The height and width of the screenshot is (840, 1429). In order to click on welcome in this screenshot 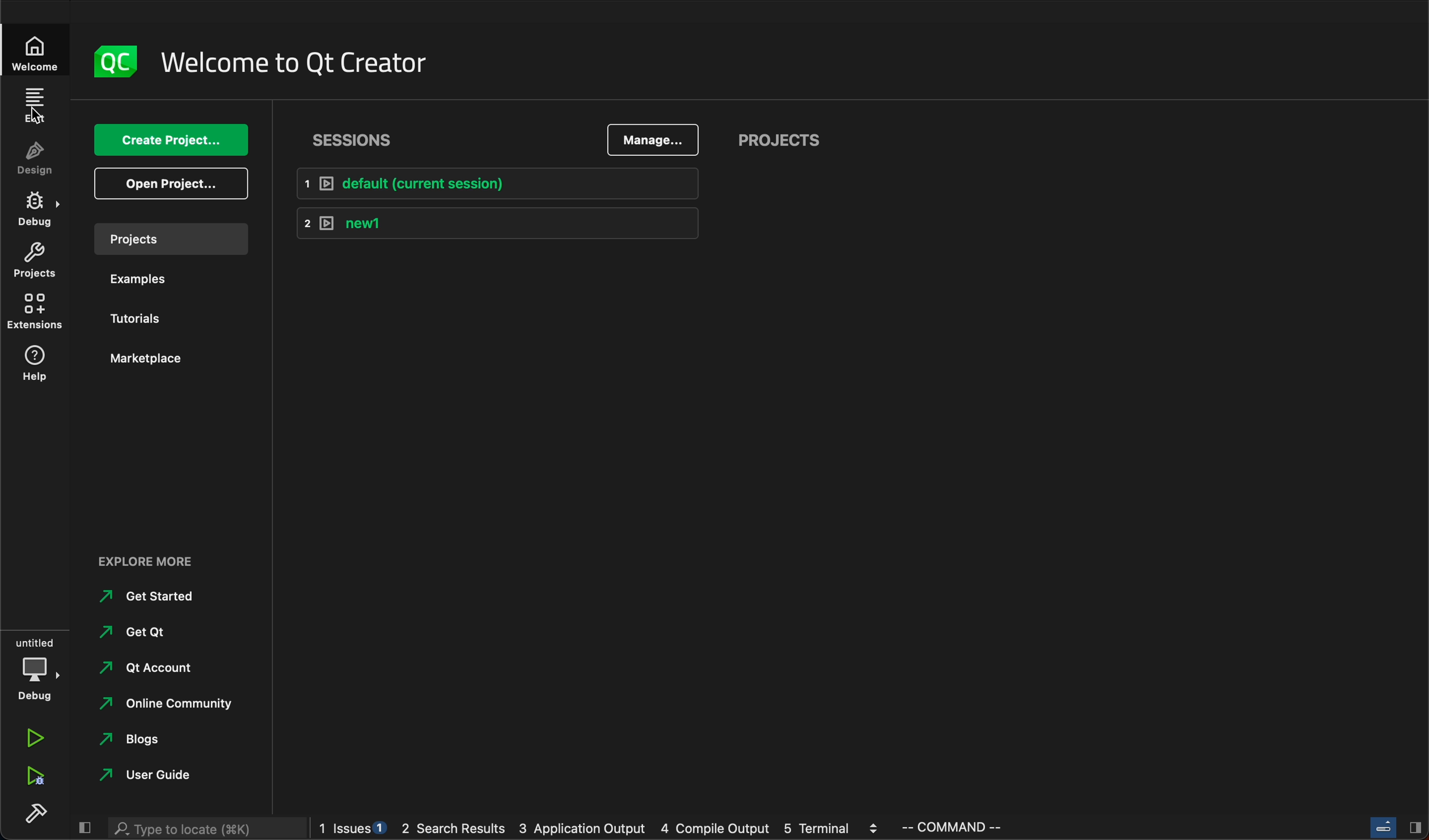, I will do `click(293, 63)`.